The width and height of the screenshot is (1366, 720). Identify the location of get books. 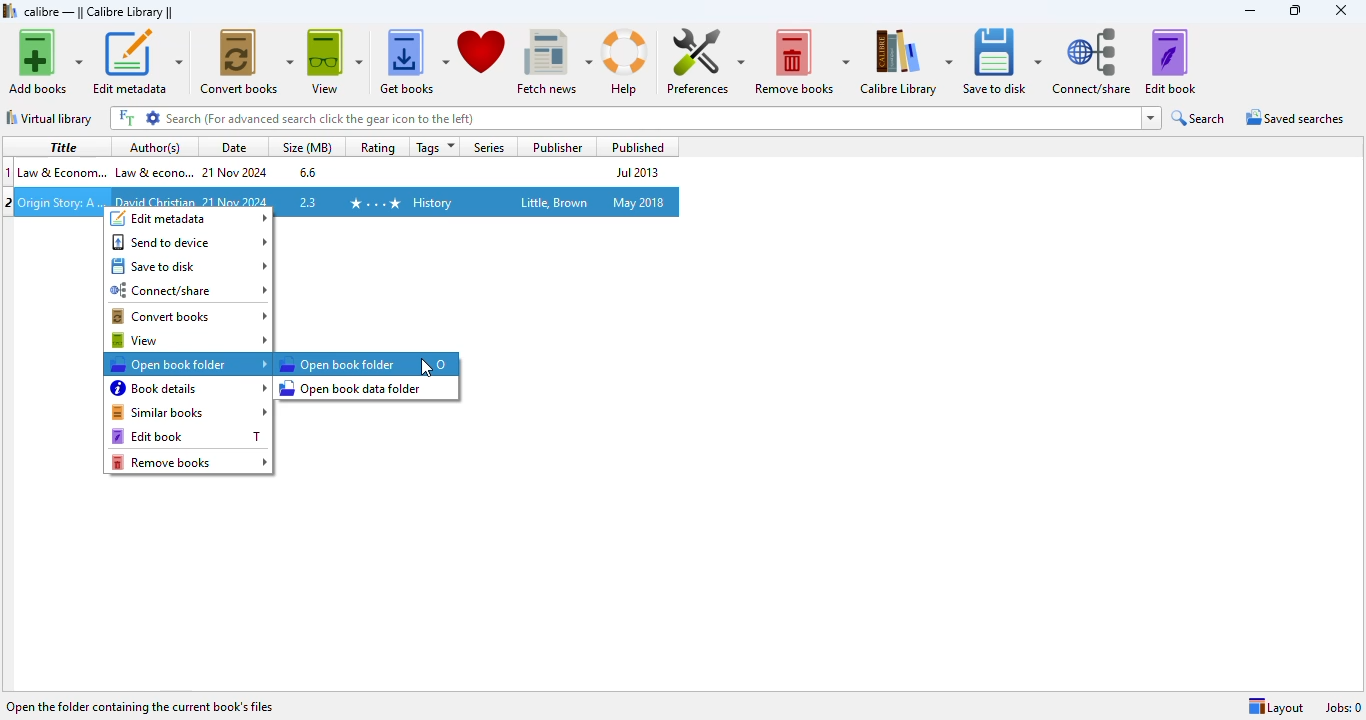
(413, 60).